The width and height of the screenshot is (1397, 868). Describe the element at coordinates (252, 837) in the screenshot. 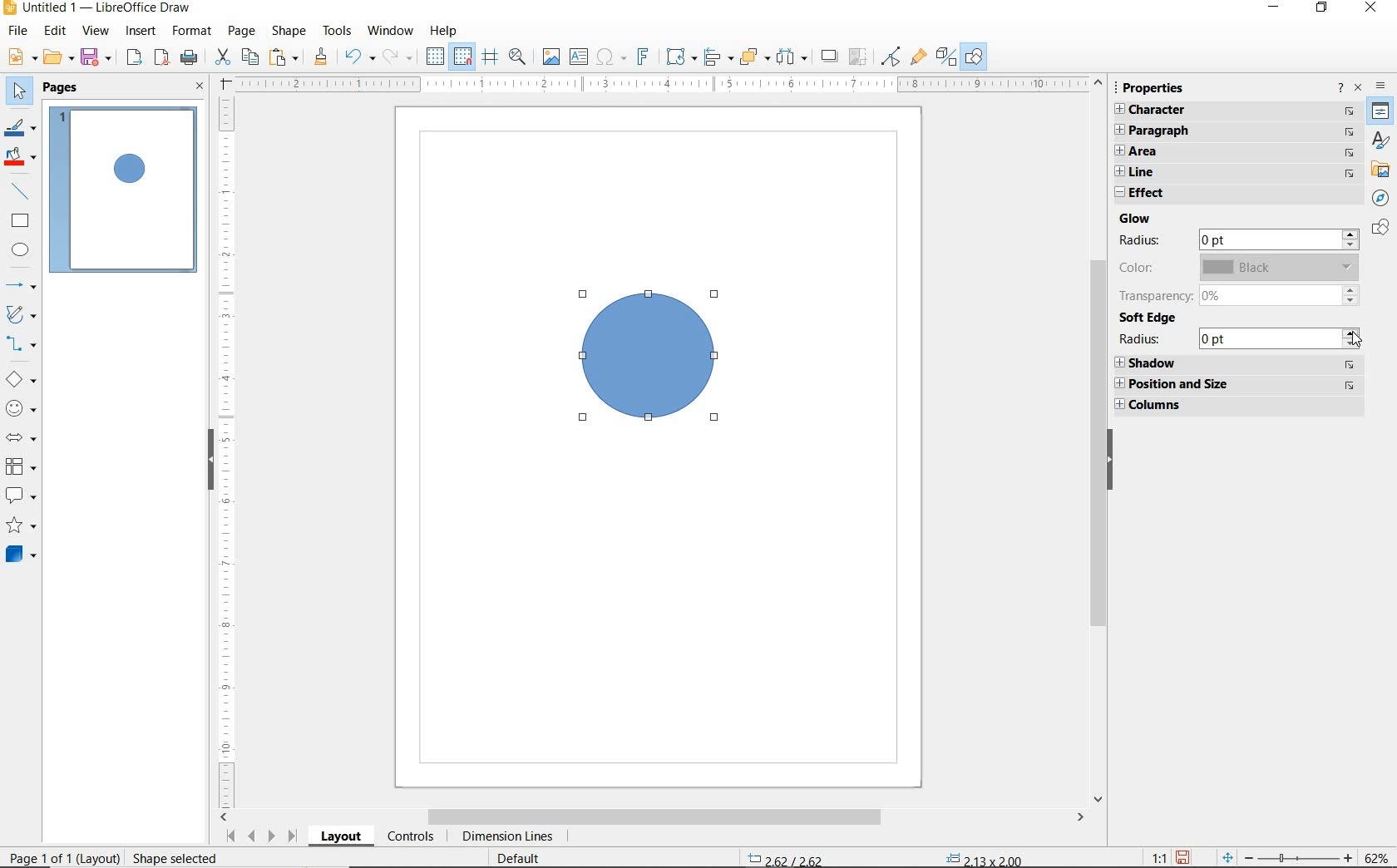

I see `Previous page` at that location.